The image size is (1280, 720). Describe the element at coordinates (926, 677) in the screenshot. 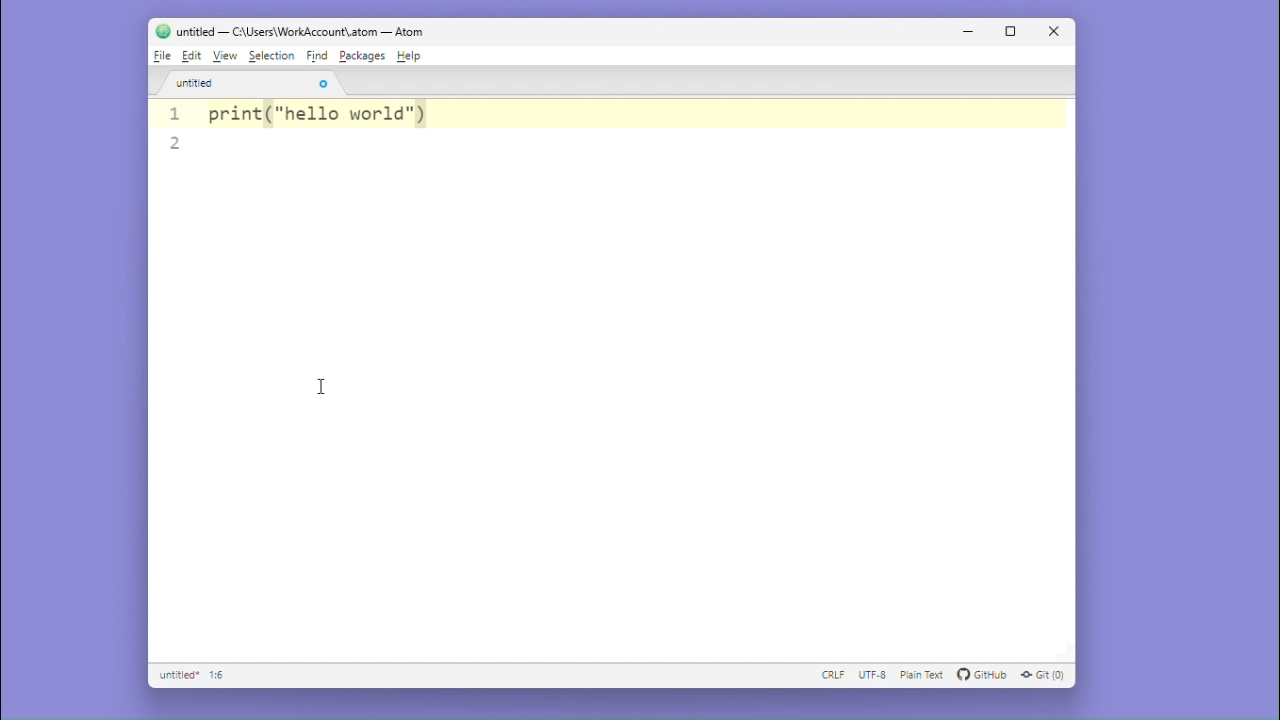

I see `plain text` at that location.